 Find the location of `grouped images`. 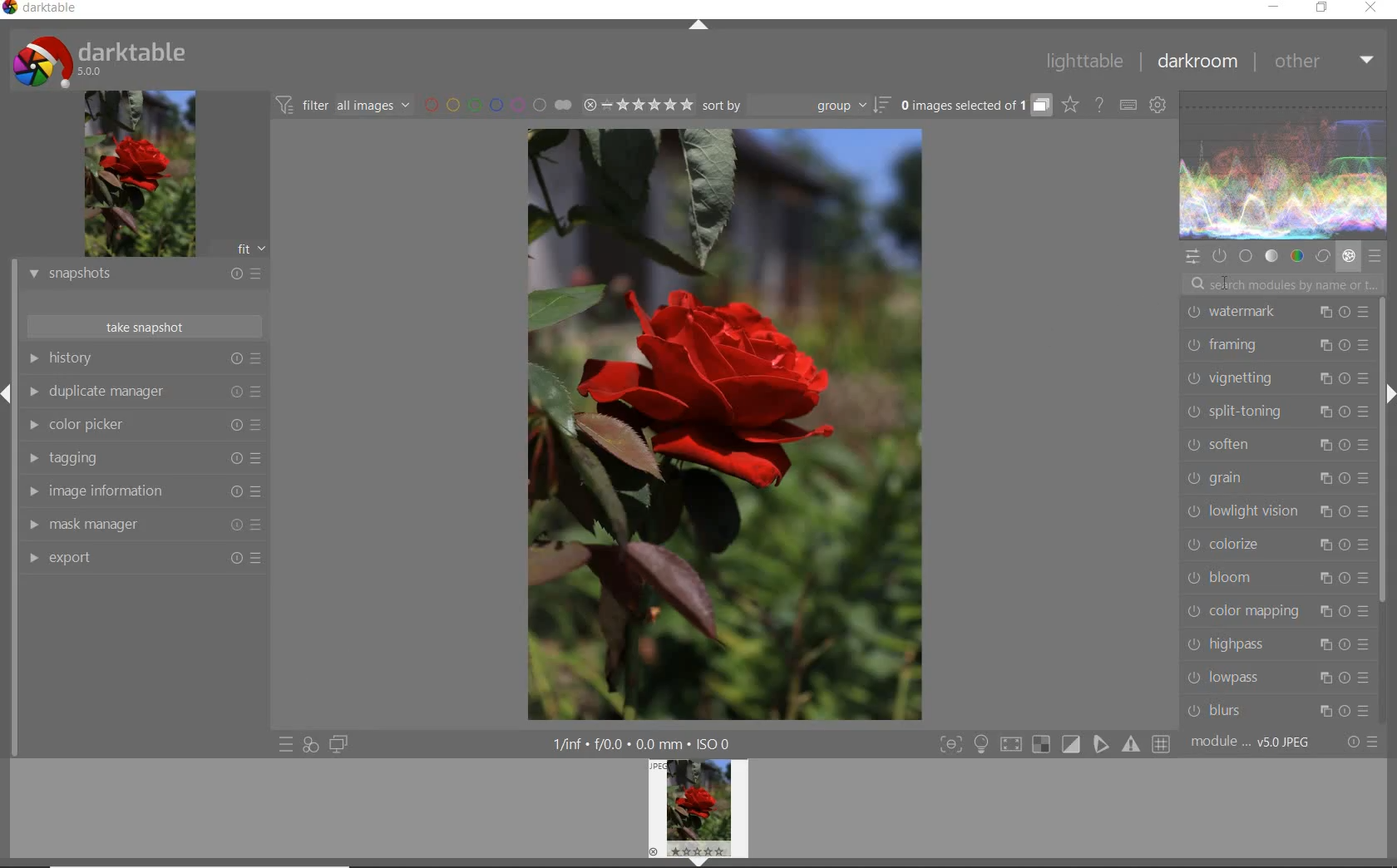

grouped images is located at coordinates (974, 106).